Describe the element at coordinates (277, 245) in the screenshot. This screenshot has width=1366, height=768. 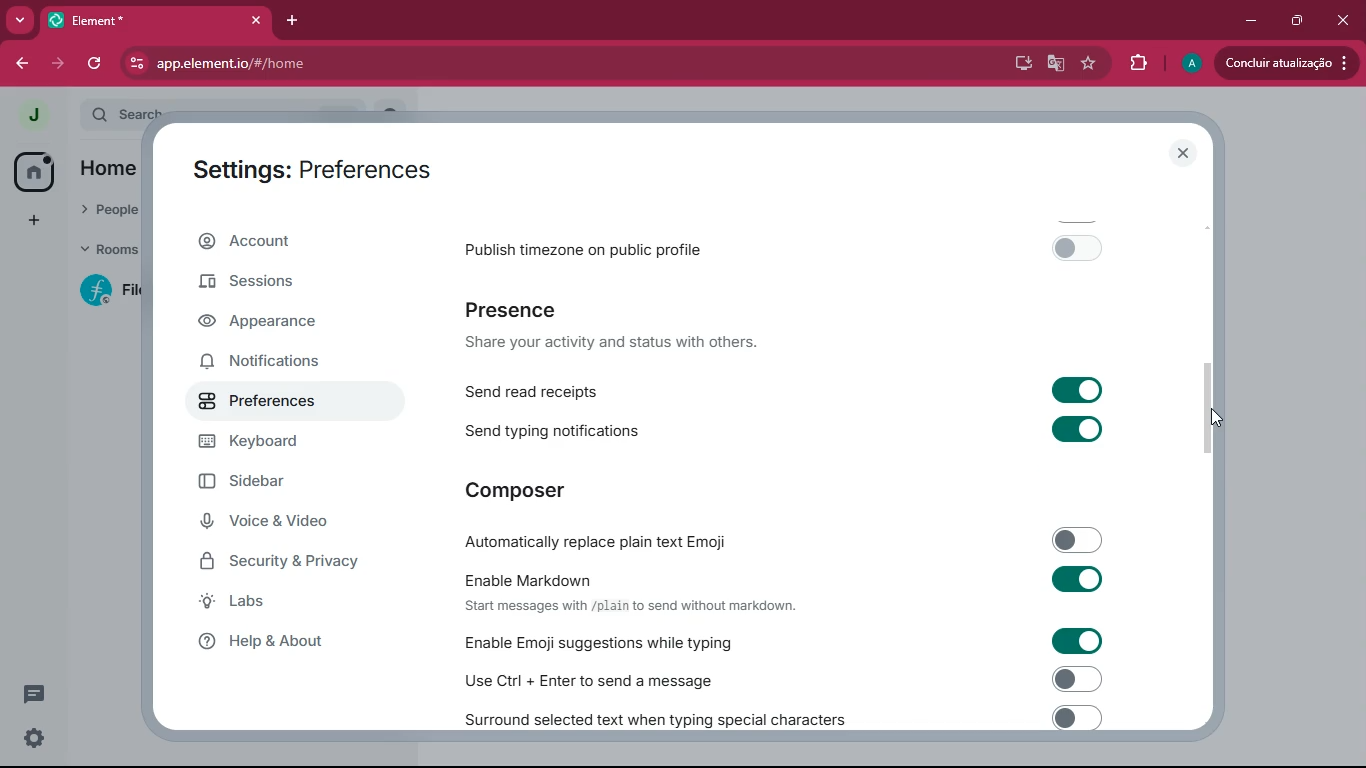
I see `account` at that location.